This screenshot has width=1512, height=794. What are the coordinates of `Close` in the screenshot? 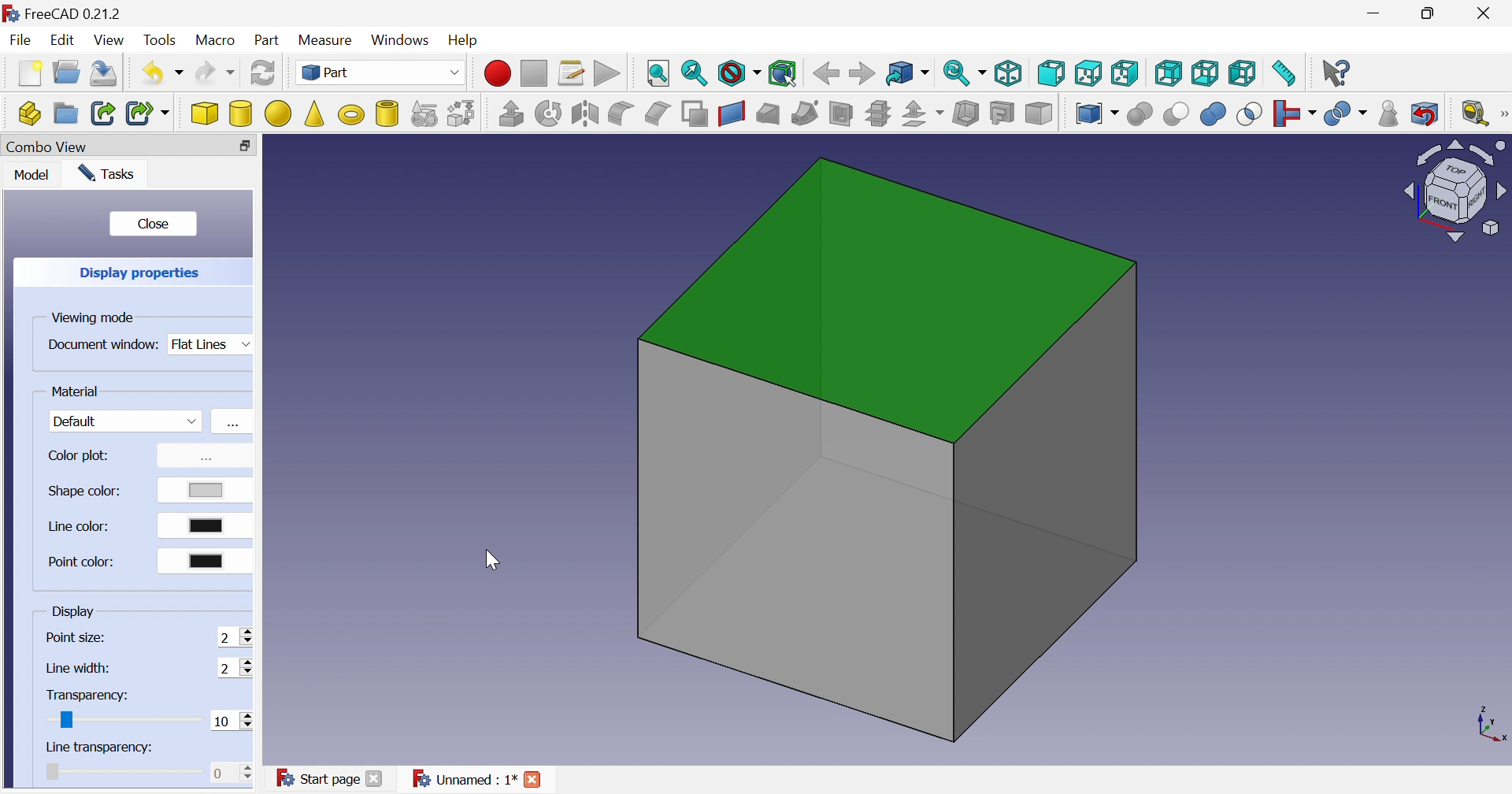 It's located at (533, 780).